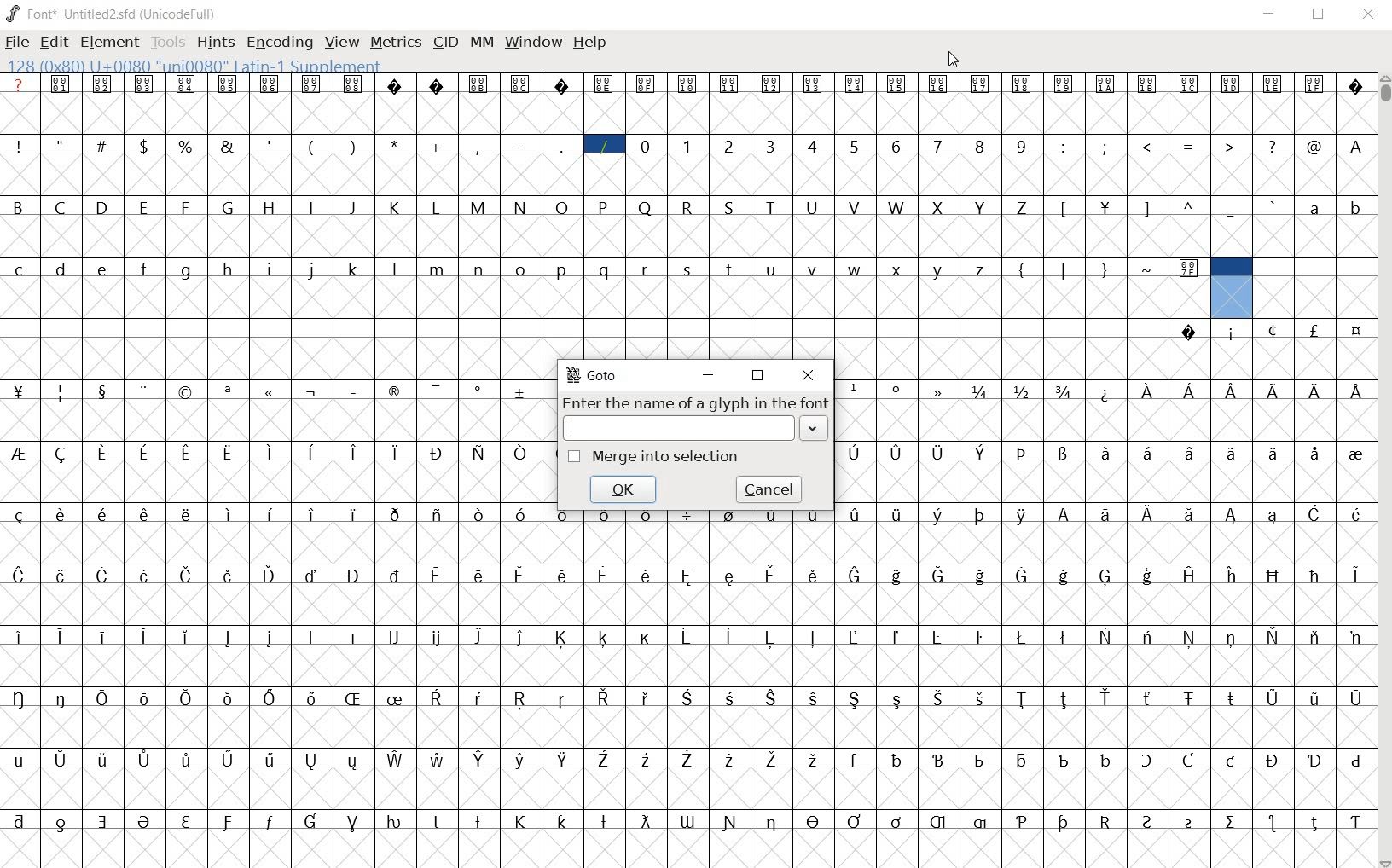 This screenshot has width=1392, height=868. I want to click on O, so click(562, 207).